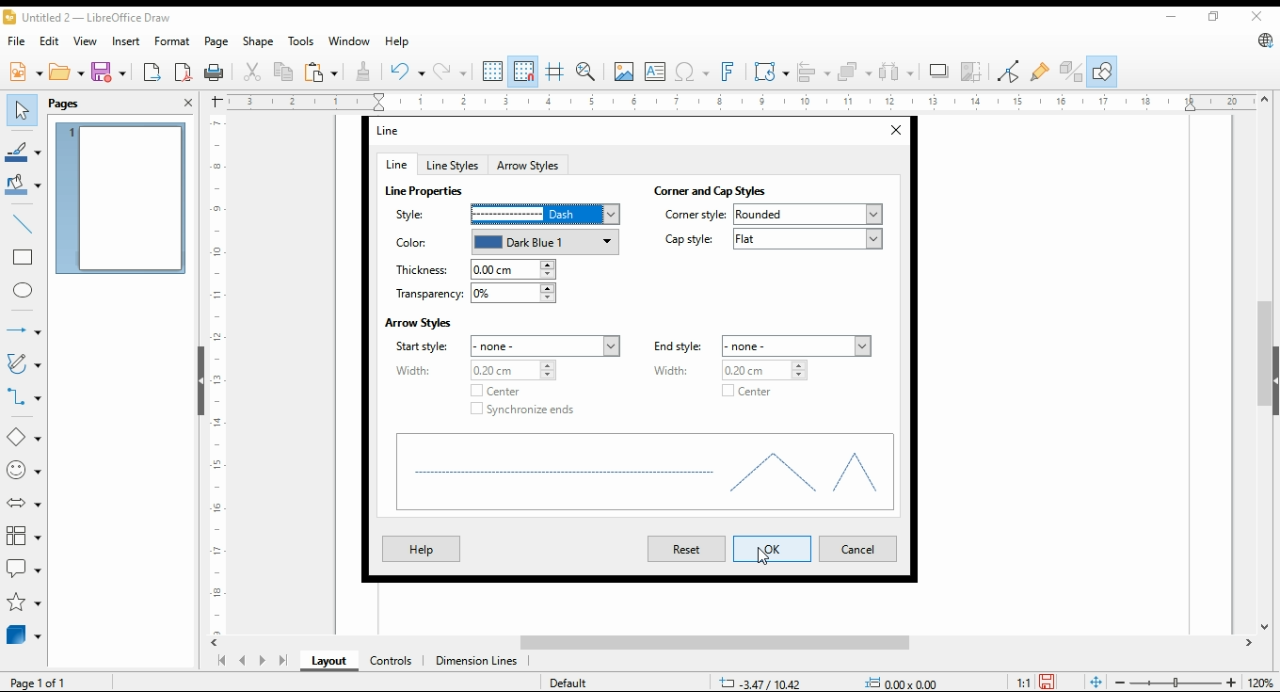 This screenshot has width=1280, height=692. I want to click on crop, so click(974, 71).